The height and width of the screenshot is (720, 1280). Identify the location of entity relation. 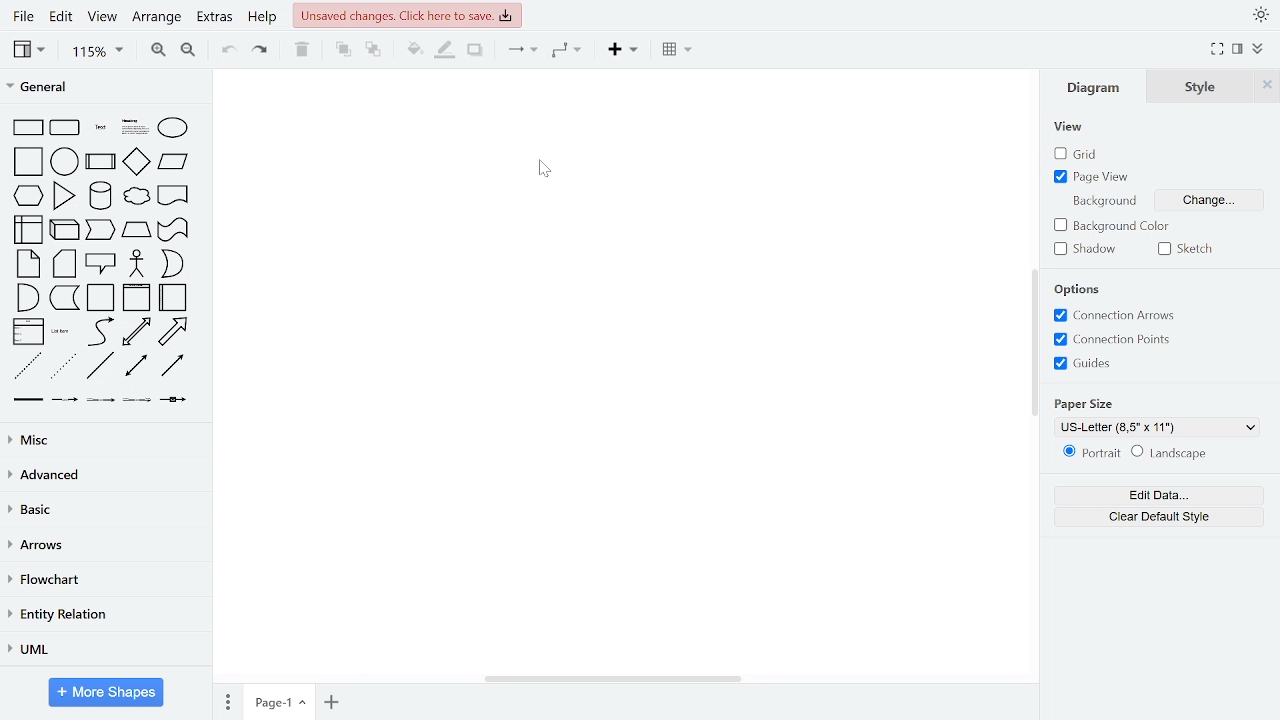
(102, 616).